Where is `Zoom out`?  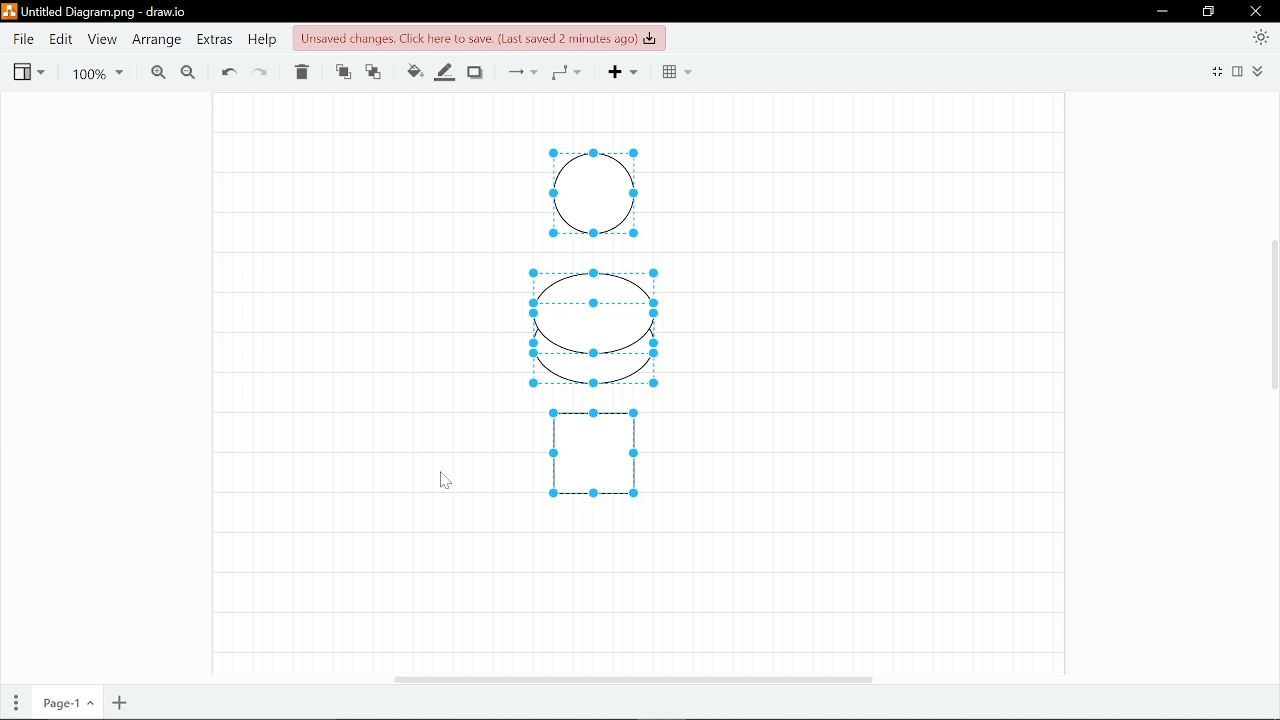 Zoom out is located at coordinates (187, 74).